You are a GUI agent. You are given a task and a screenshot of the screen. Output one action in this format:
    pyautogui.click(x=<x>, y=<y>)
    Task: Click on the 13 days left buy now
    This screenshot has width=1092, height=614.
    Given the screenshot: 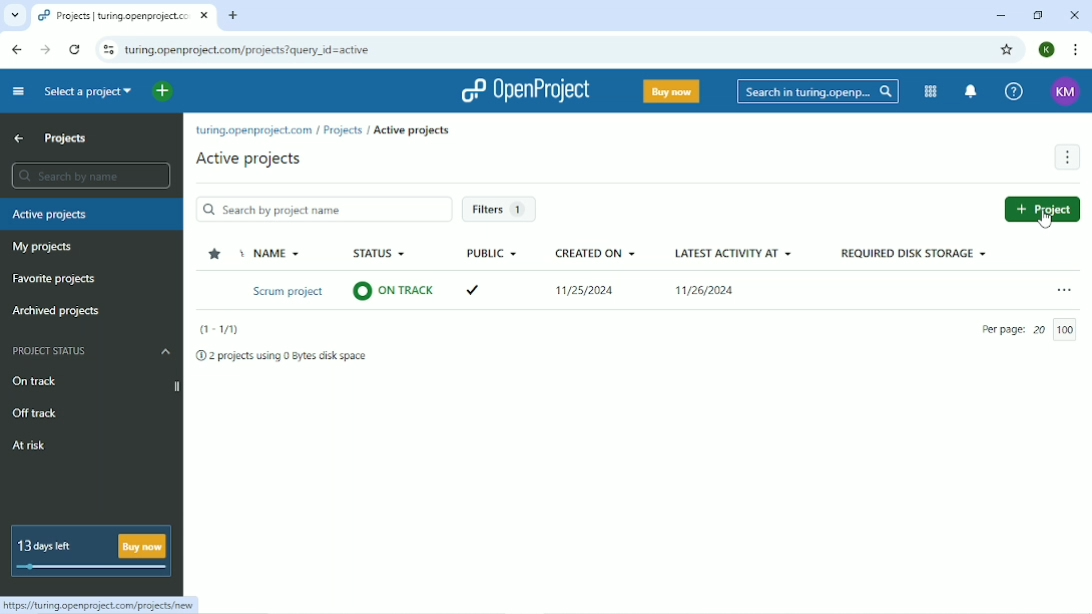 What is the action you would take?
    pyautogui.click(x=92, y=552)
    